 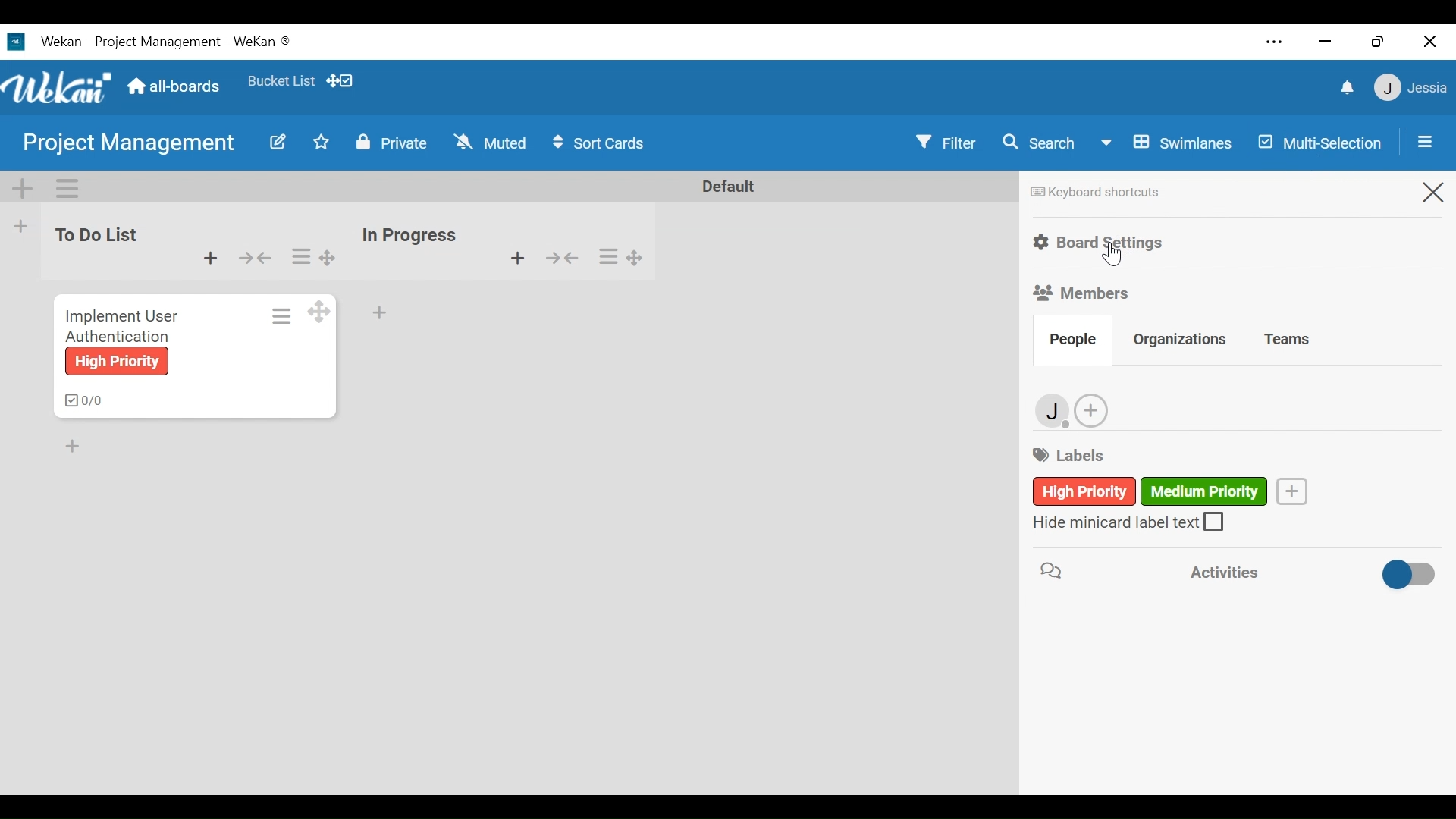 I want to click on Drag handles, so click(x=330, y=257).